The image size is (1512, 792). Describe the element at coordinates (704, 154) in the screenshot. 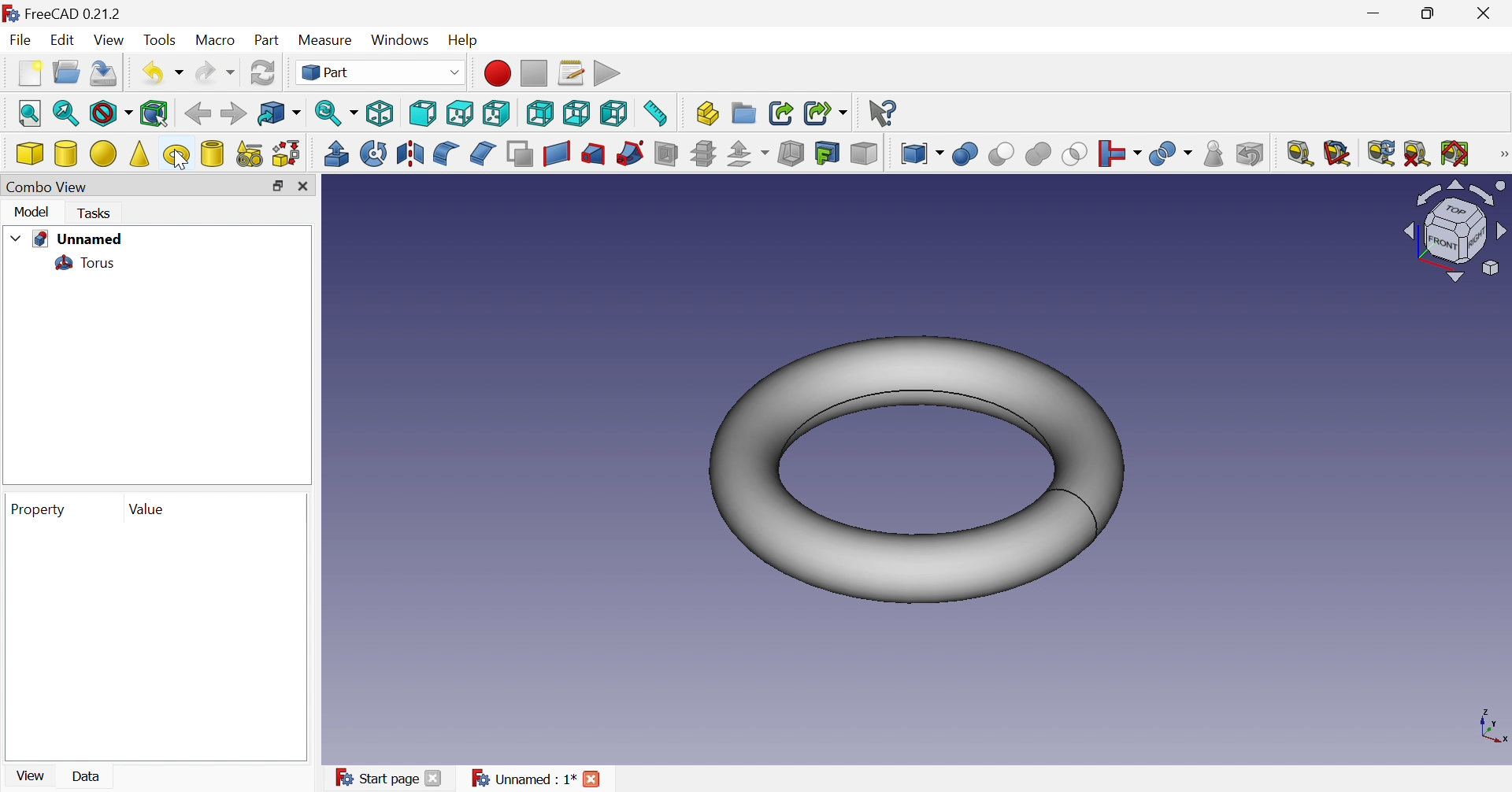

I see `Cross-section` at that location.